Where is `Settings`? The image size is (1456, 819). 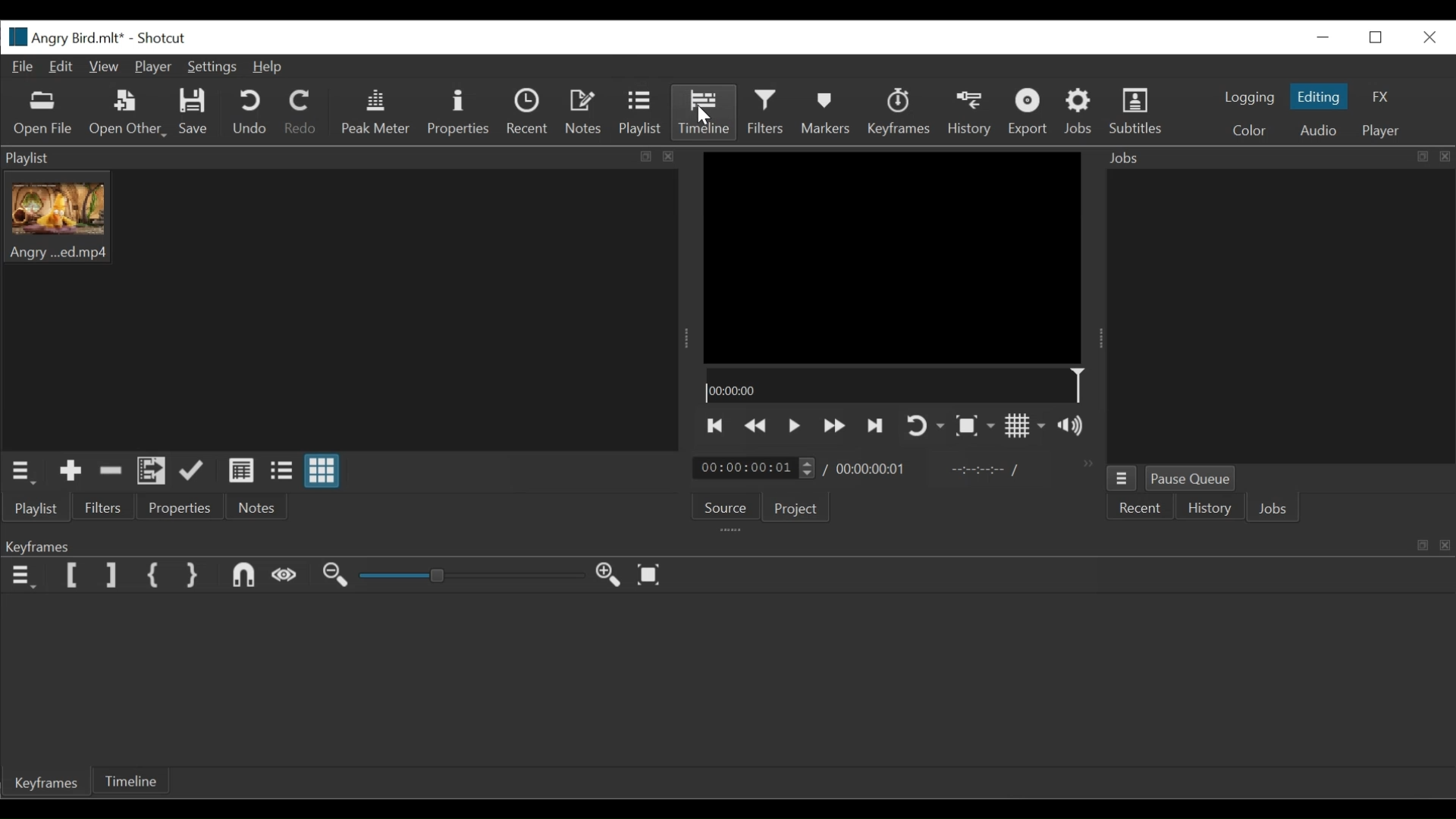 Settings is located at coordinates (213, 68).